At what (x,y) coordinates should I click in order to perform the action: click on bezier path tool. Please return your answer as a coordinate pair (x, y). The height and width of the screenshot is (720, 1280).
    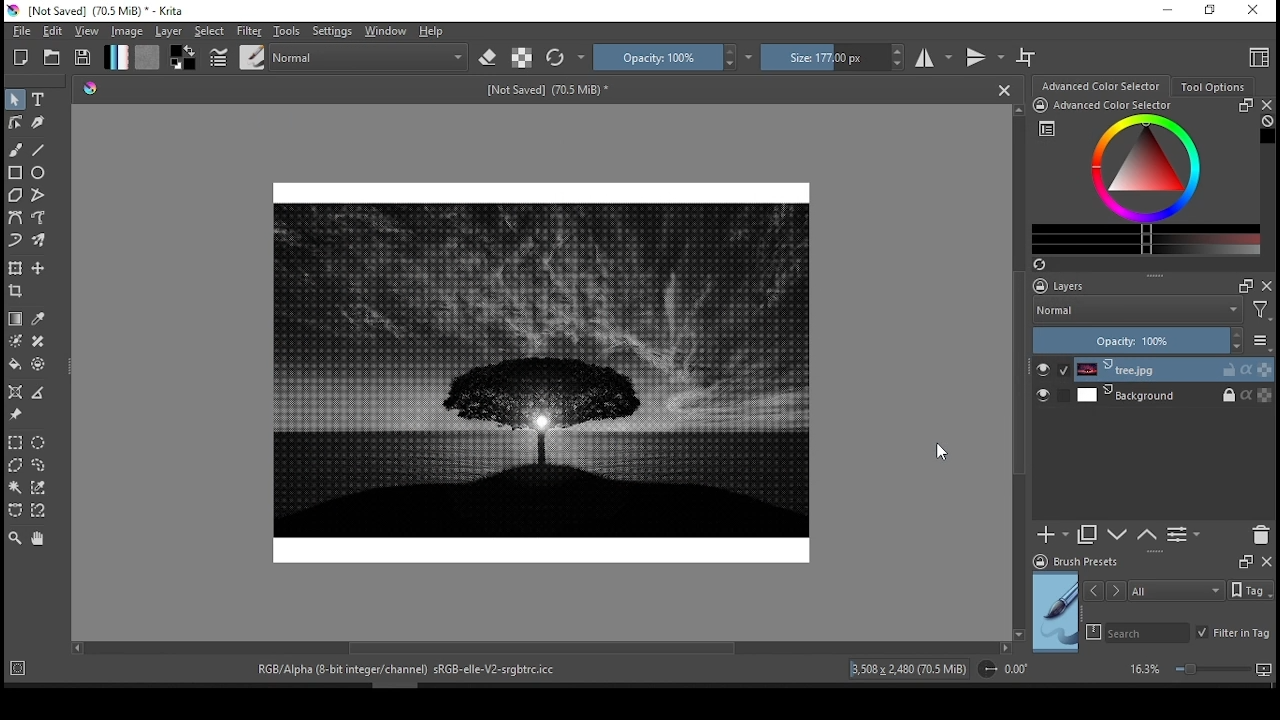
    Looking at the image, I should click on (16, 218).